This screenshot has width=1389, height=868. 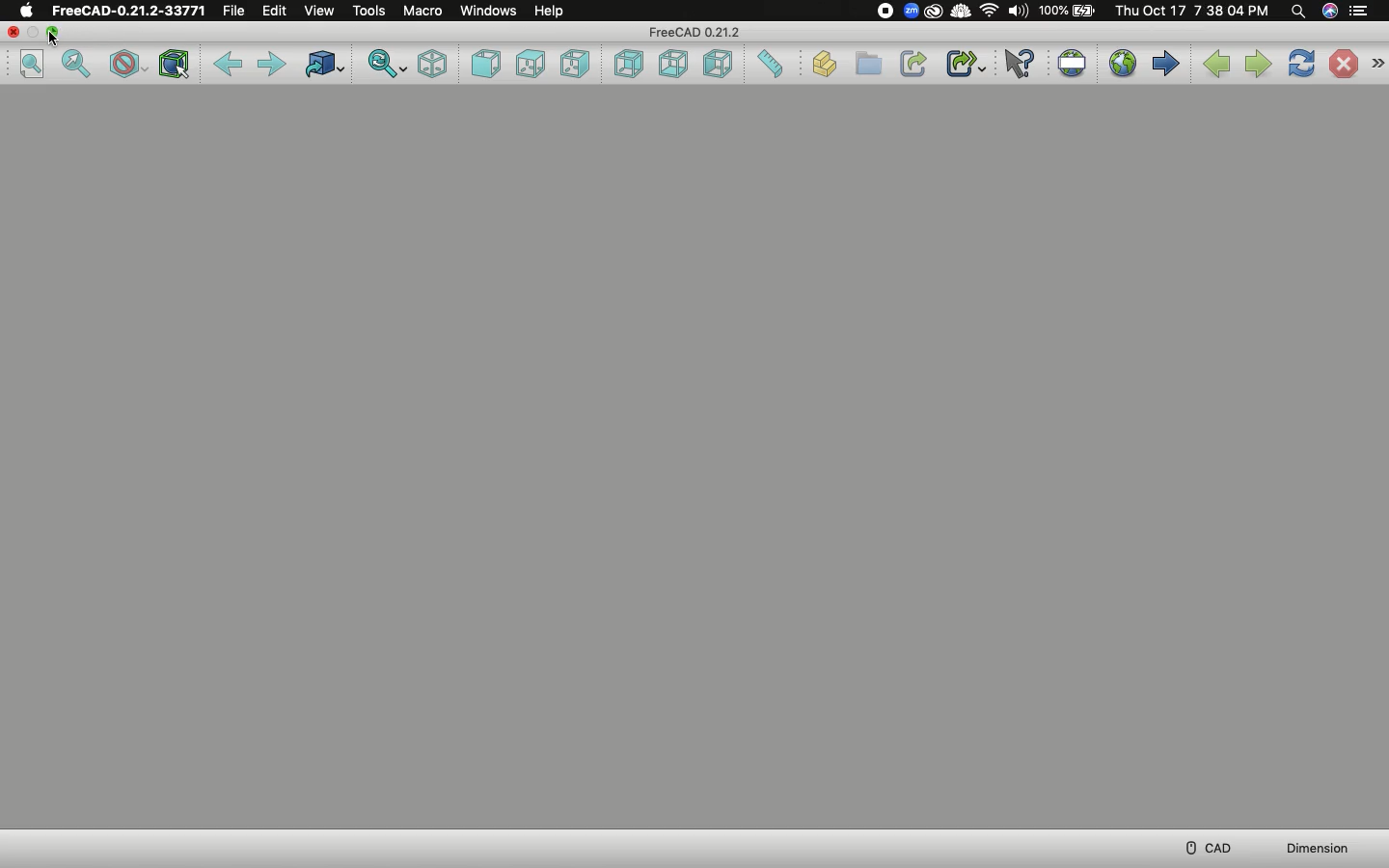 What do you see at coordinates (1214, 67) in the screenshot?
I see `Previous page` at bounding box center [1214, 67].